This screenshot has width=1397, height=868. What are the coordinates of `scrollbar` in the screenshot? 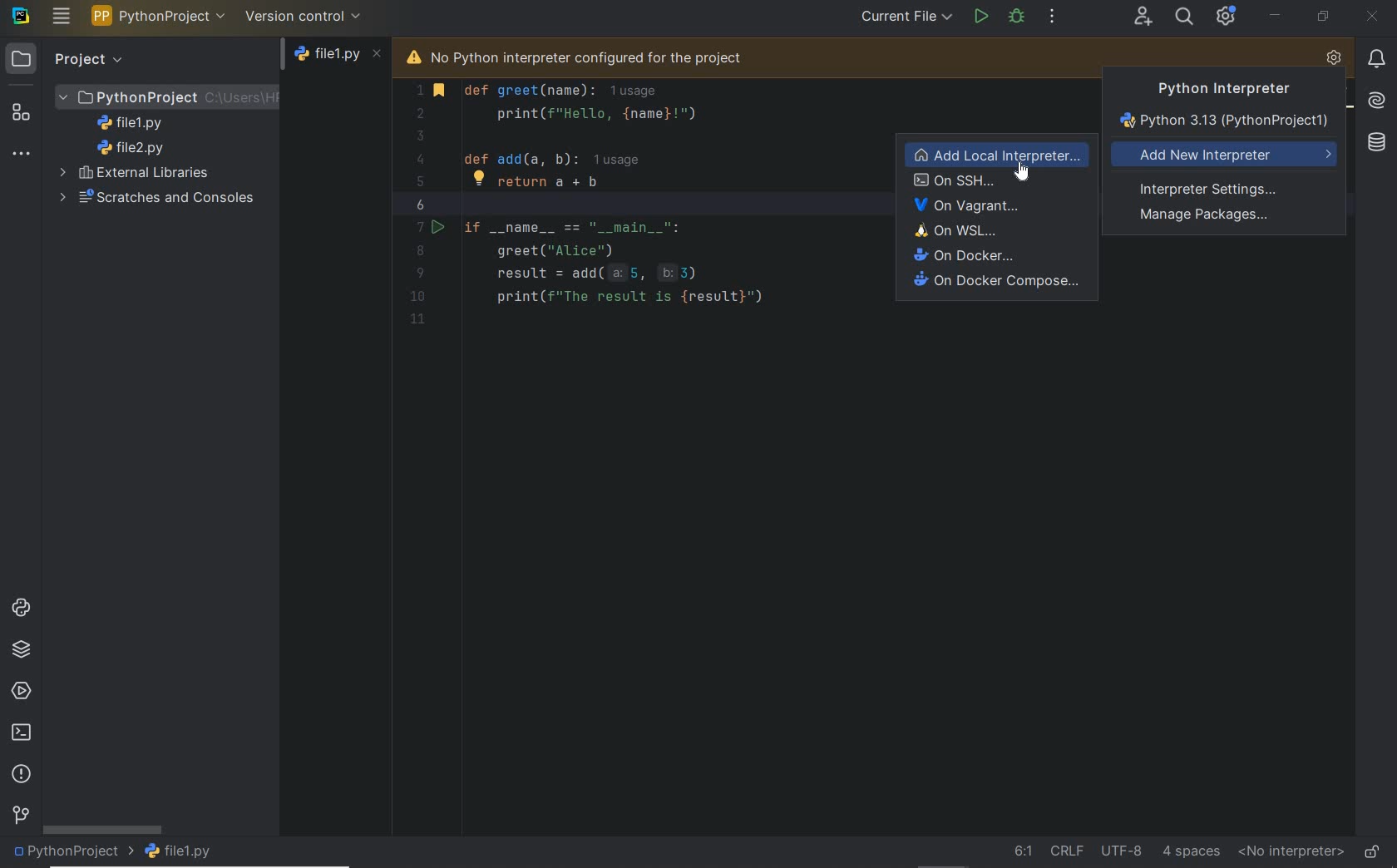 It's located at (102, 829).